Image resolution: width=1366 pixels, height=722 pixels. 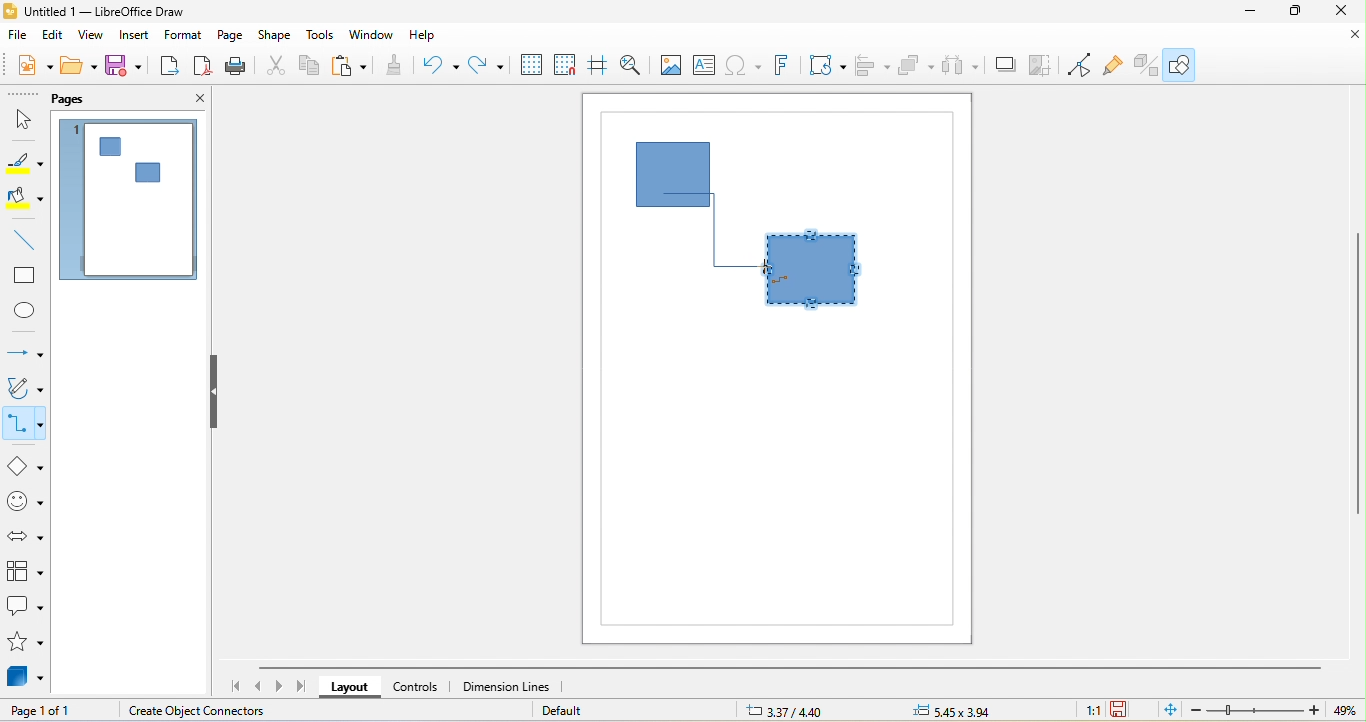 I want to click on close, so click(x=194, y=99).